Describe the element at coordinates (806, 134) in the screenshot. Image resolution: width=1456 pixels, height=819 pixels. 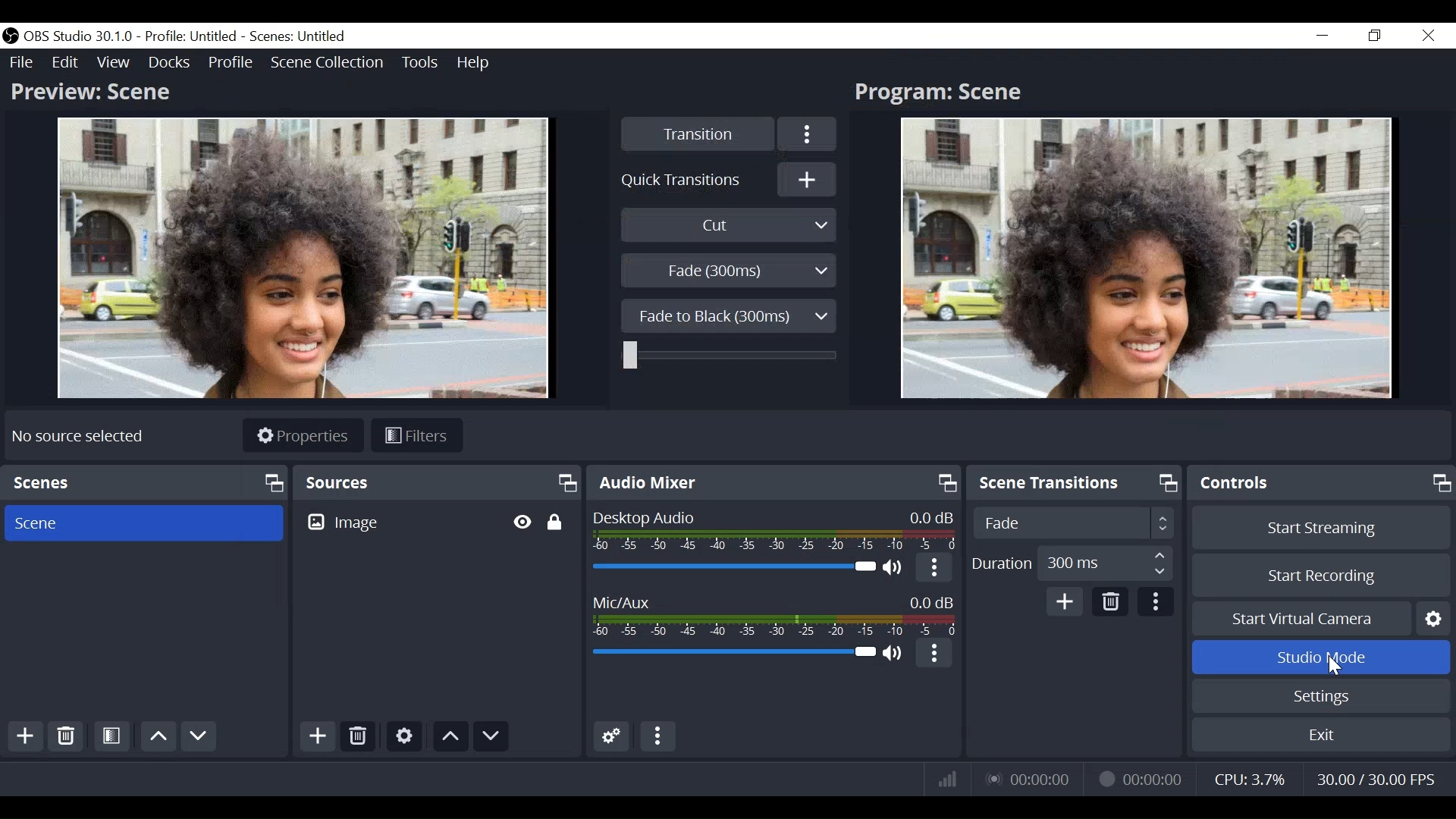
I see `More Options` at that location.